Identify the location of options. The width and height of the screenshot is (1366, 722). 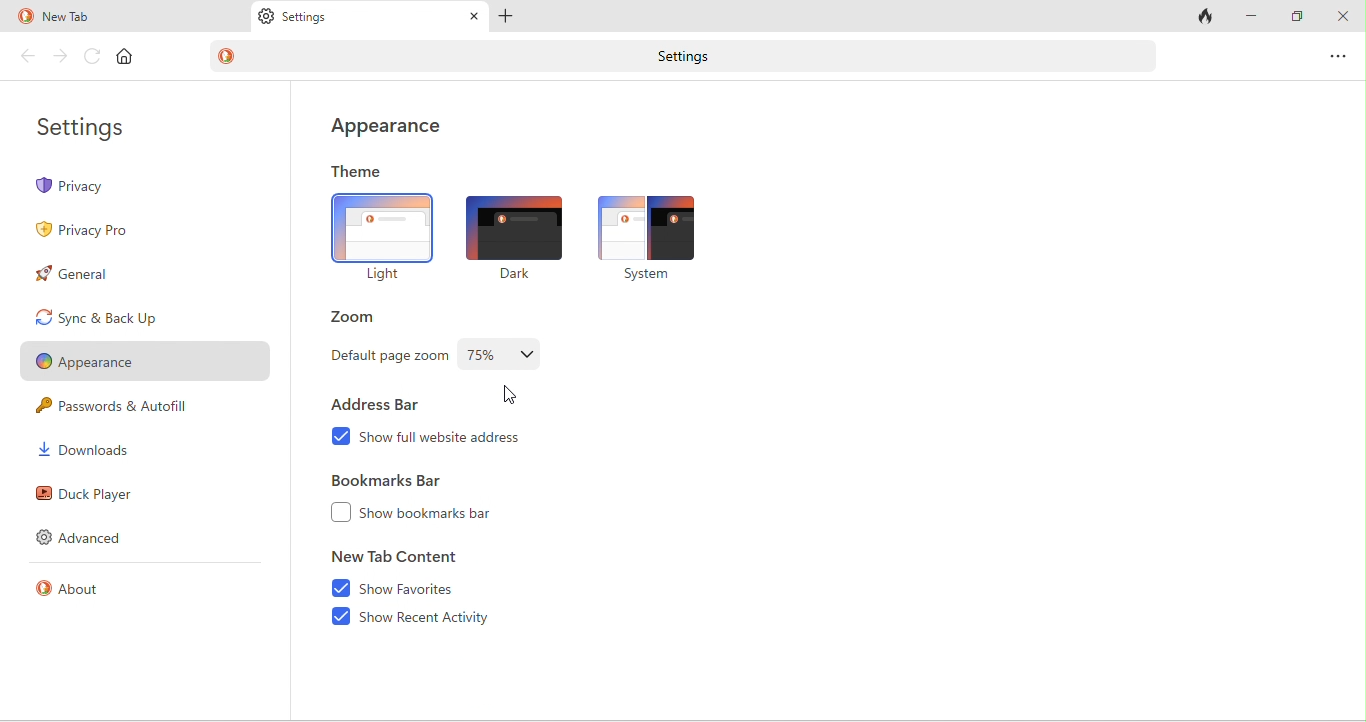
(1339, 55).